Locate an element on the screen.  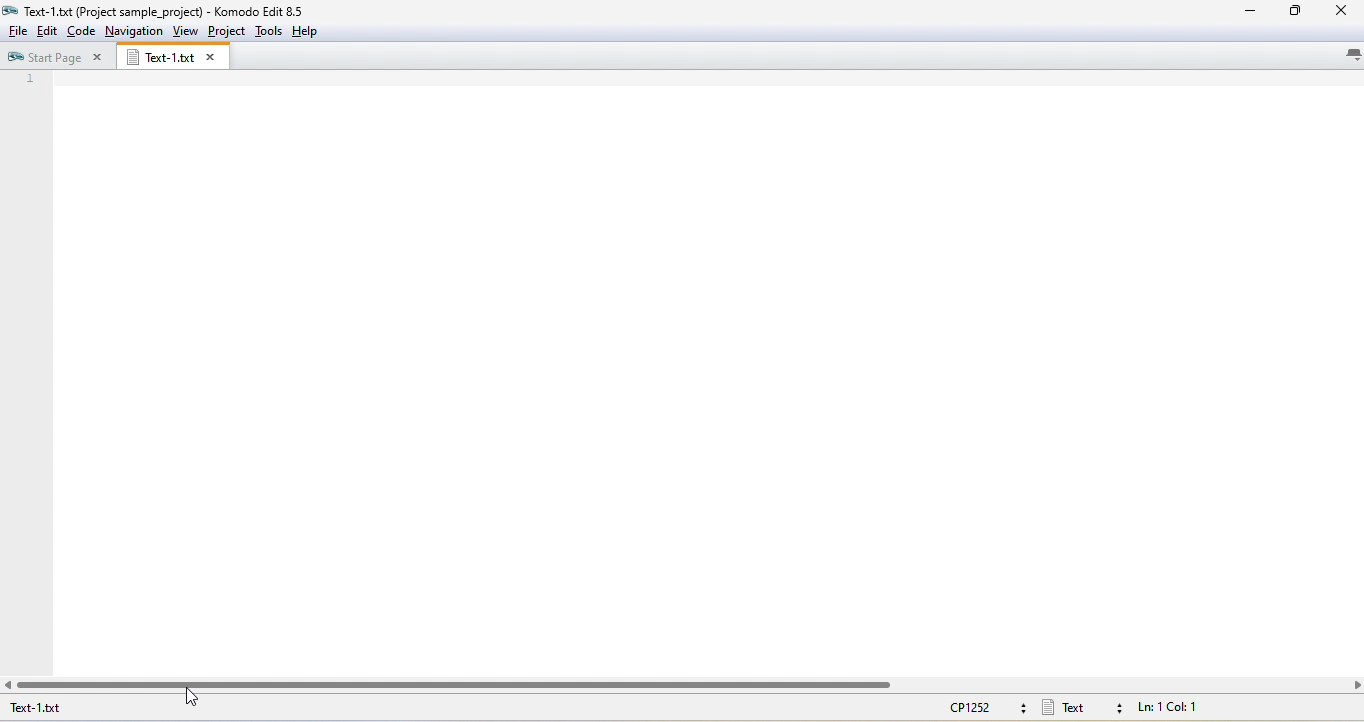
text-1.txt is located at coordinates (70, 709).